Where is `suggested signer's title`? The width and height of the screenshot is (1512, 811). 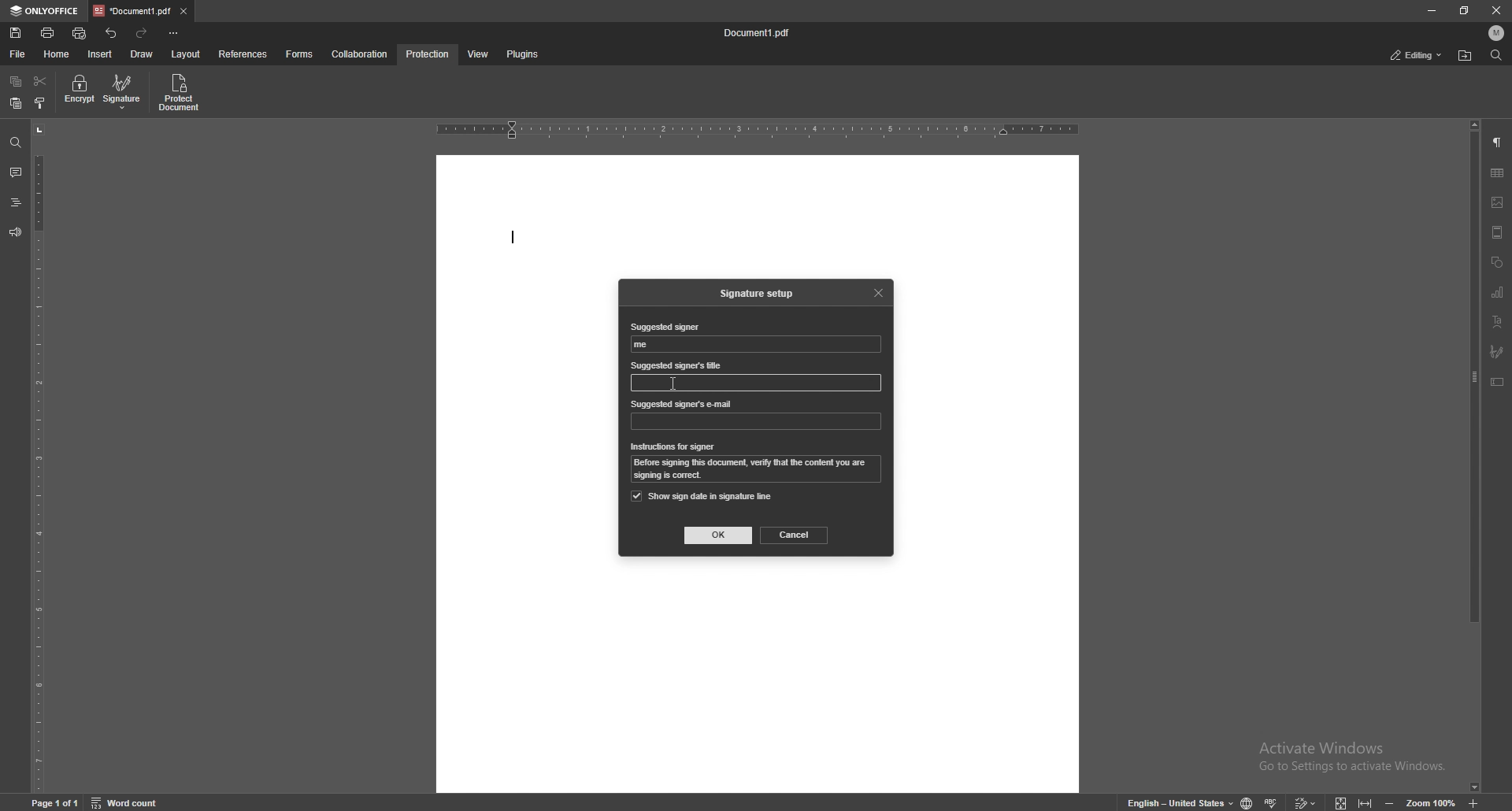 suggested signer's title is located at coordinates (677, 365).